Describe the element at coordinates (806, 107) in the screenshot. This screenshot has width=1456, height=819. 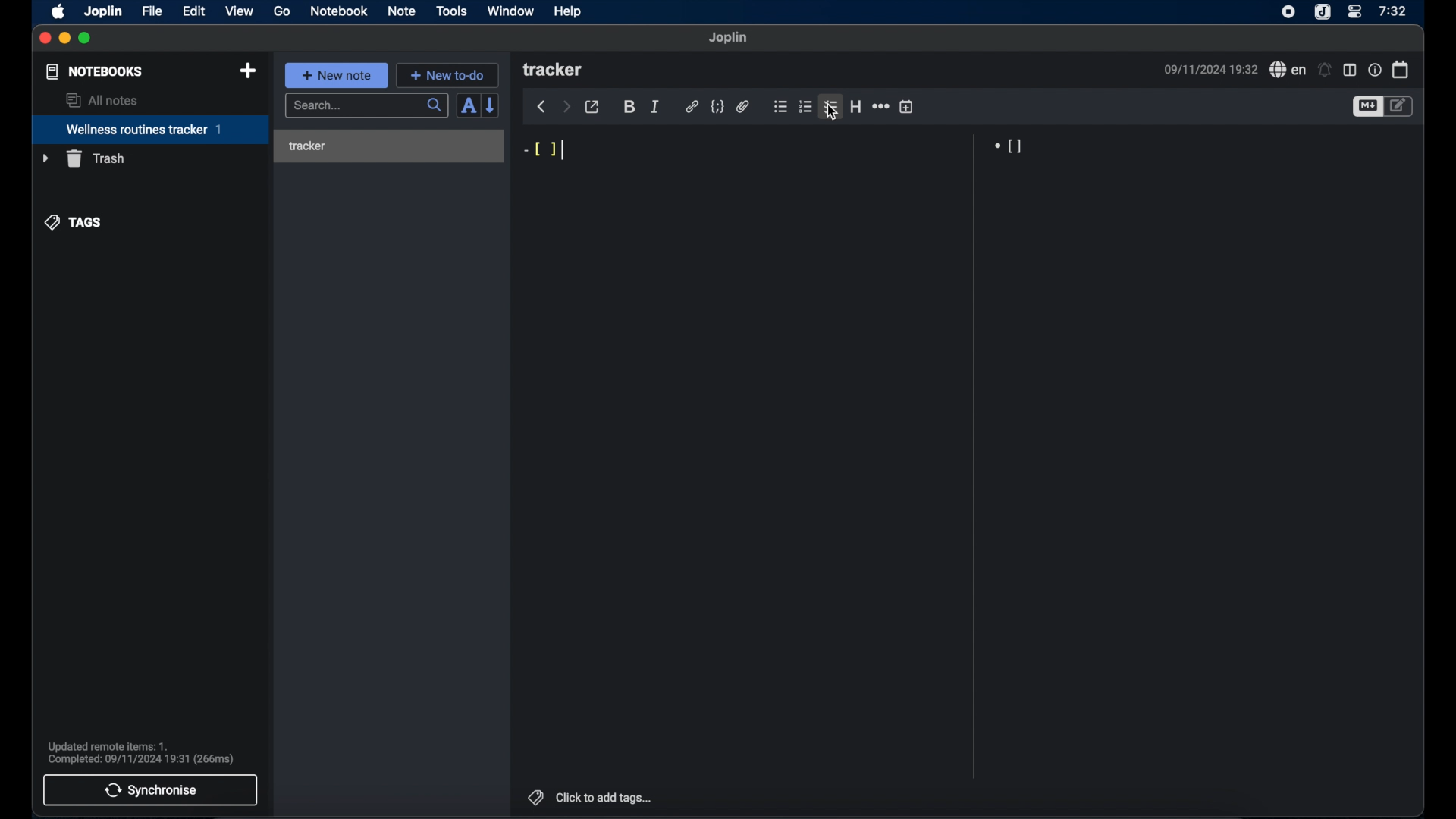
I see `numbered list` at that location.